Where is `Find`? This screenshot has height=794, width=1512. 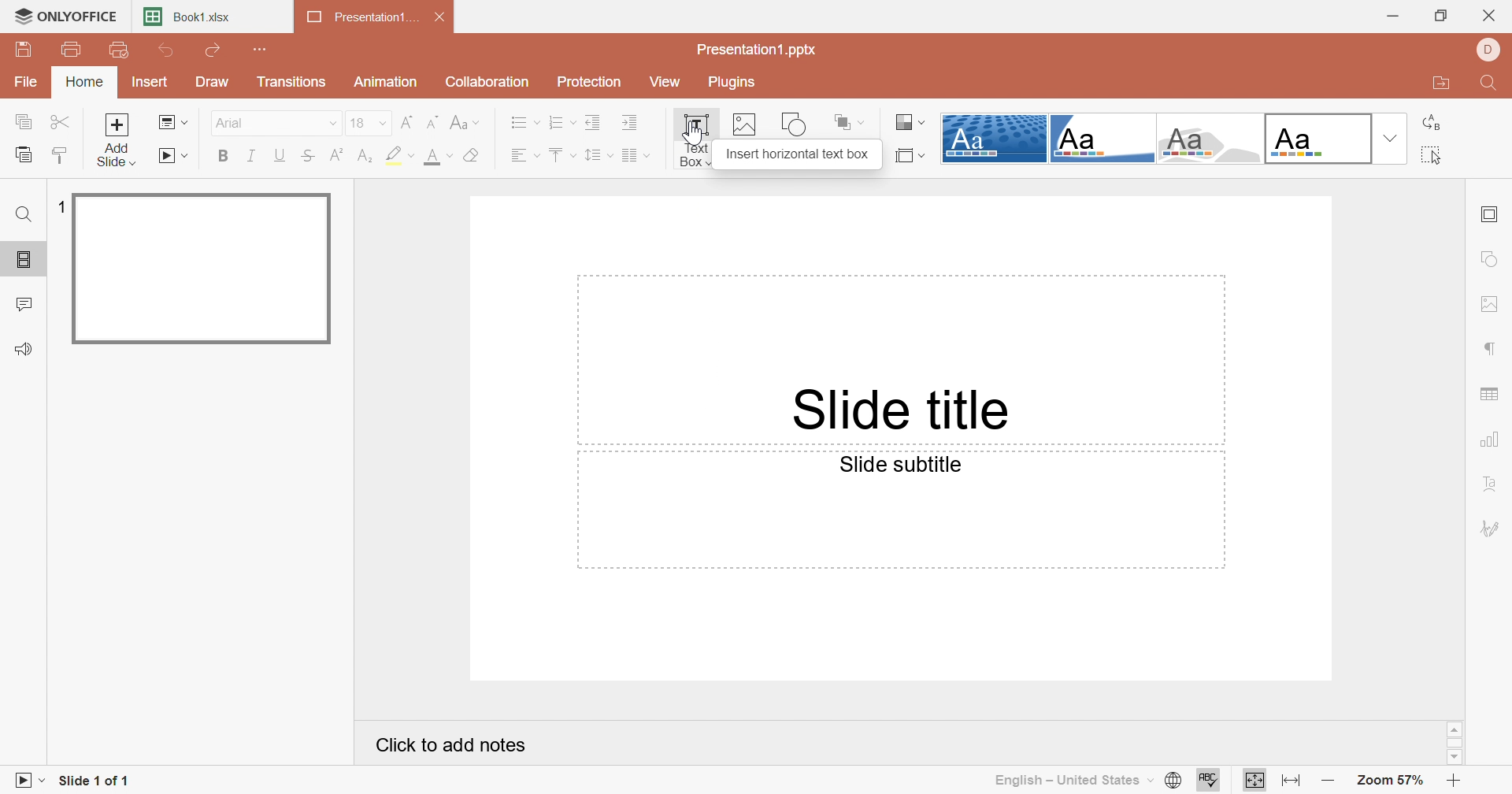 Find is located at coordinates (1492, 83).